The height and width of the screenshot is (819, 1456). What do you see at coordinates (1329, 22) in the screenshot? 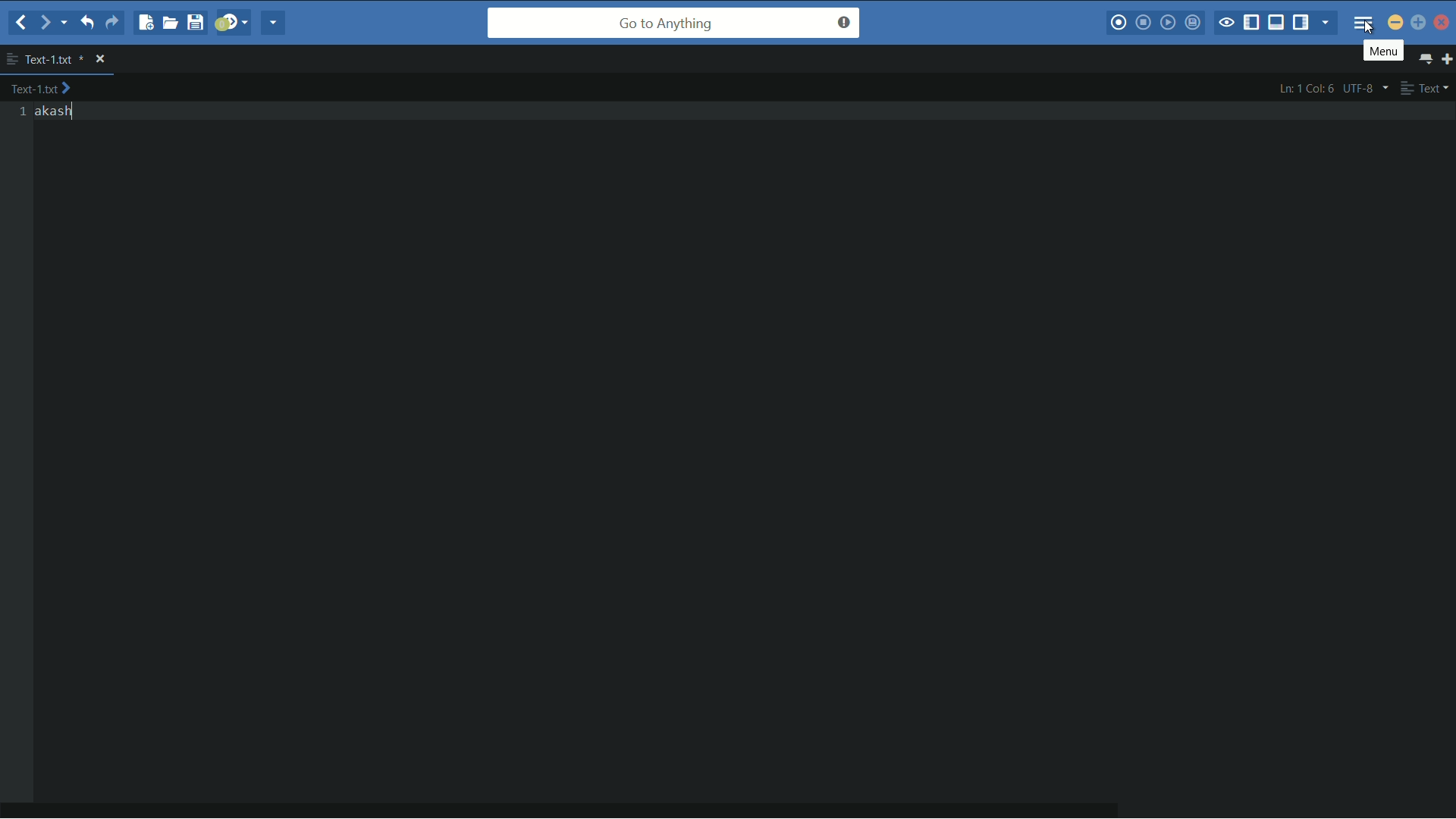
I see `show specific sidebar/tab` at bounding box center [1329, 22].